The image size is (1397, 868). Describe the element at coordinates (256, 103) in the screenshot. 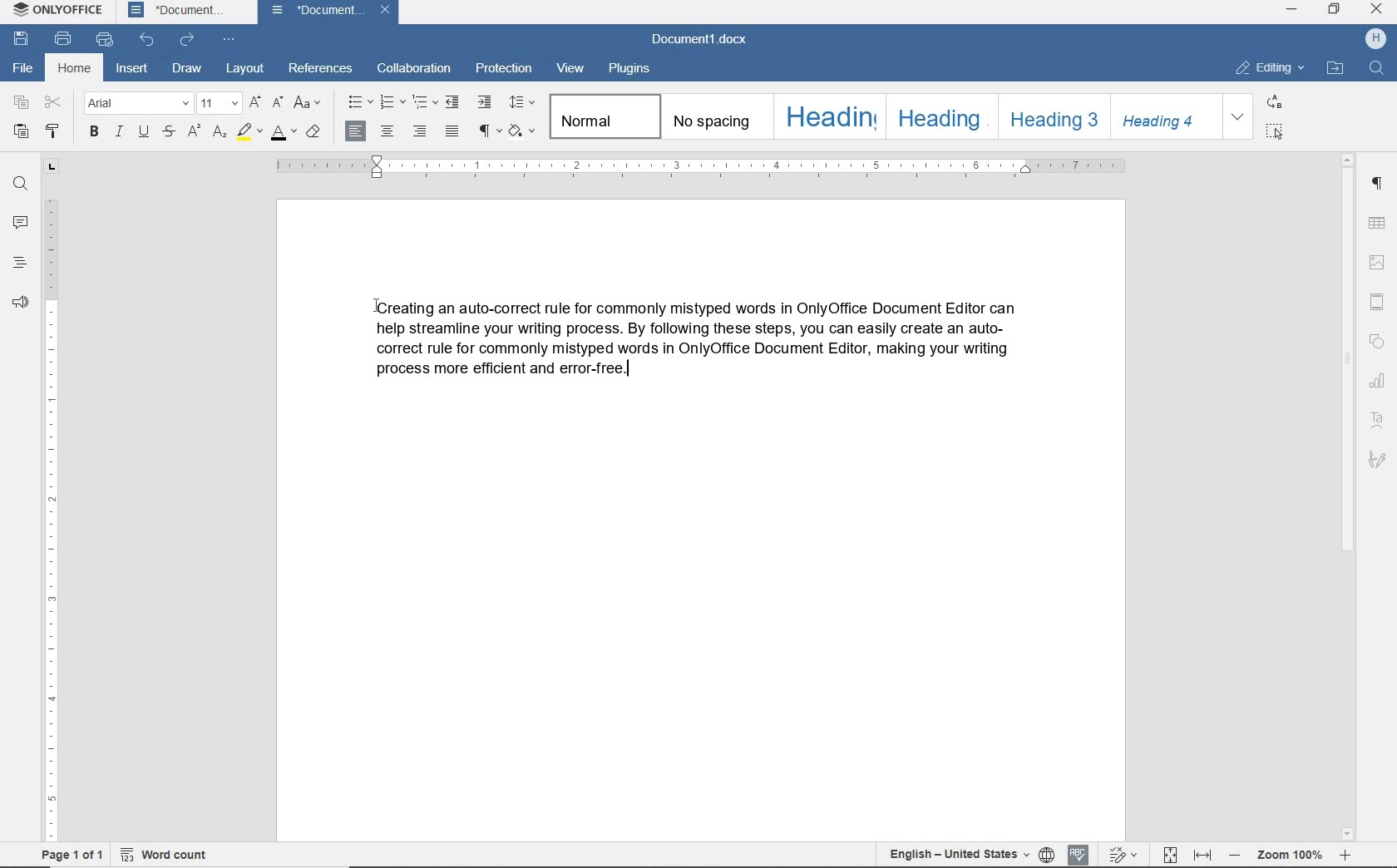

I see `increment font size` at that location.